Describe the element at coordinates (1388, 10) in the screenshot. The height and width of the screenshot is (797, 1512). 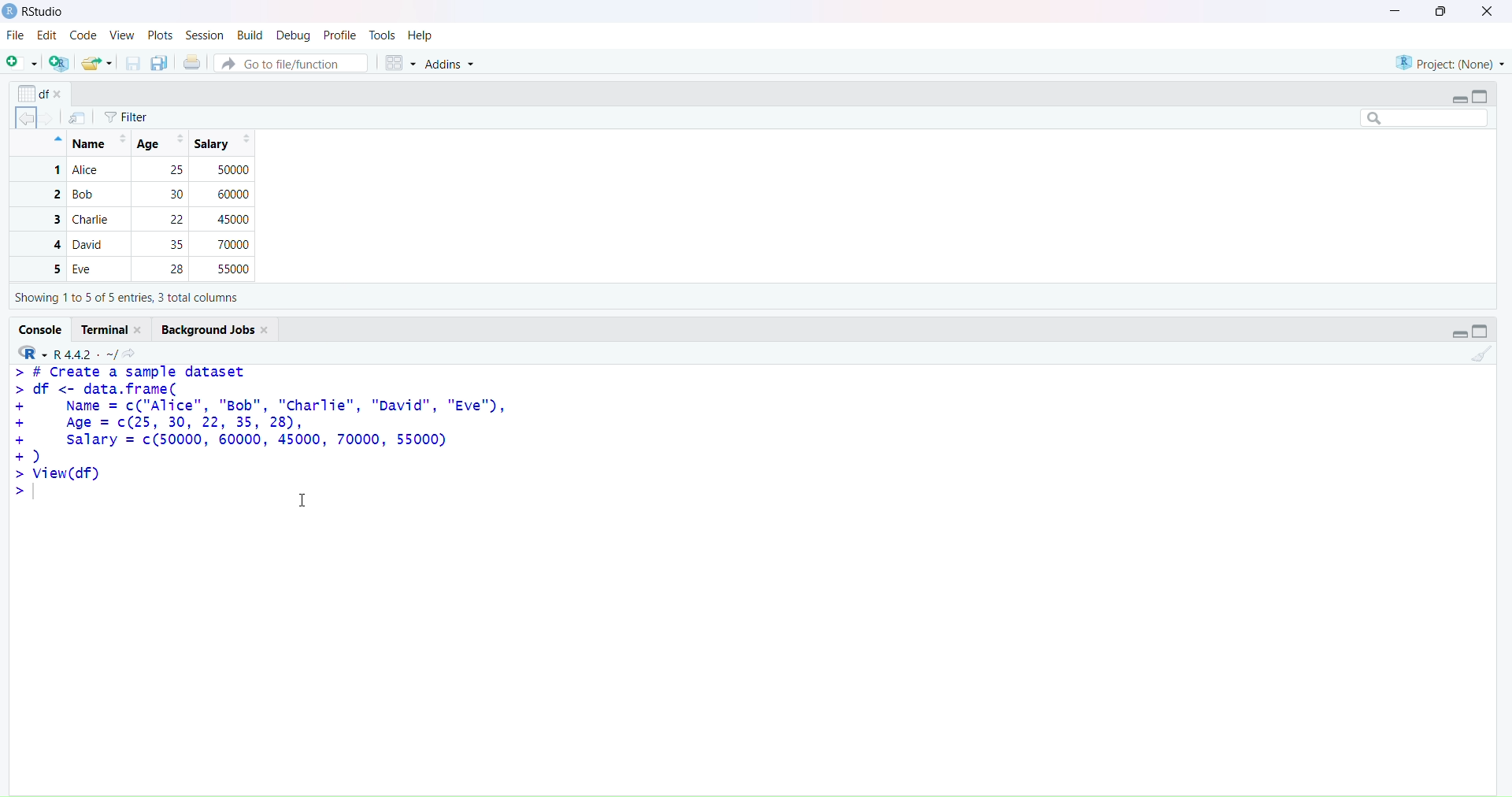
I see `minimize` at that location.